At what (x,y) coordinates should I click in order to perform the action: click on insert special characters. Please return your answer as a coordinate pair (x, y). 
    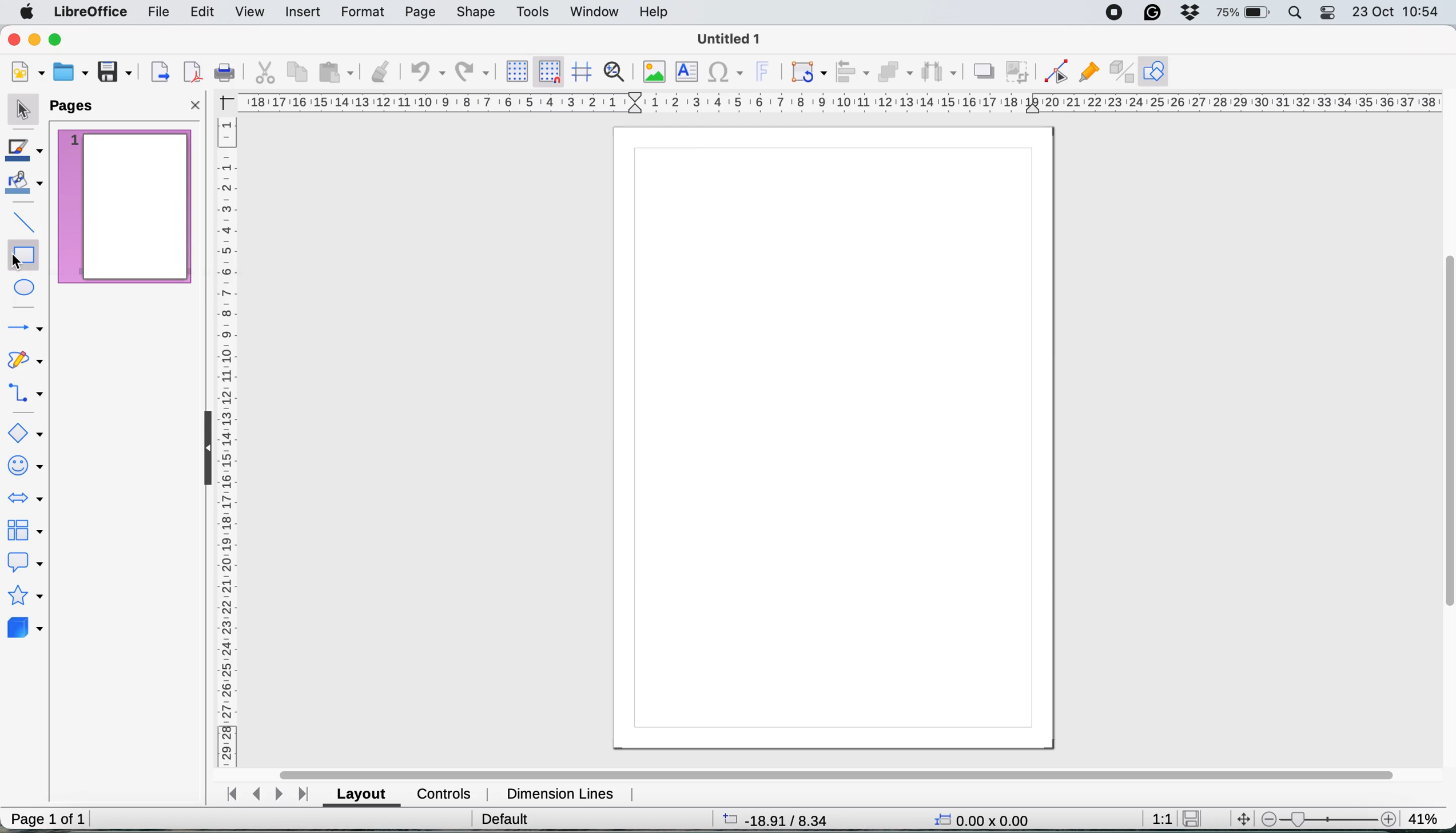
    Looking at the image, I should click on (726, 74).